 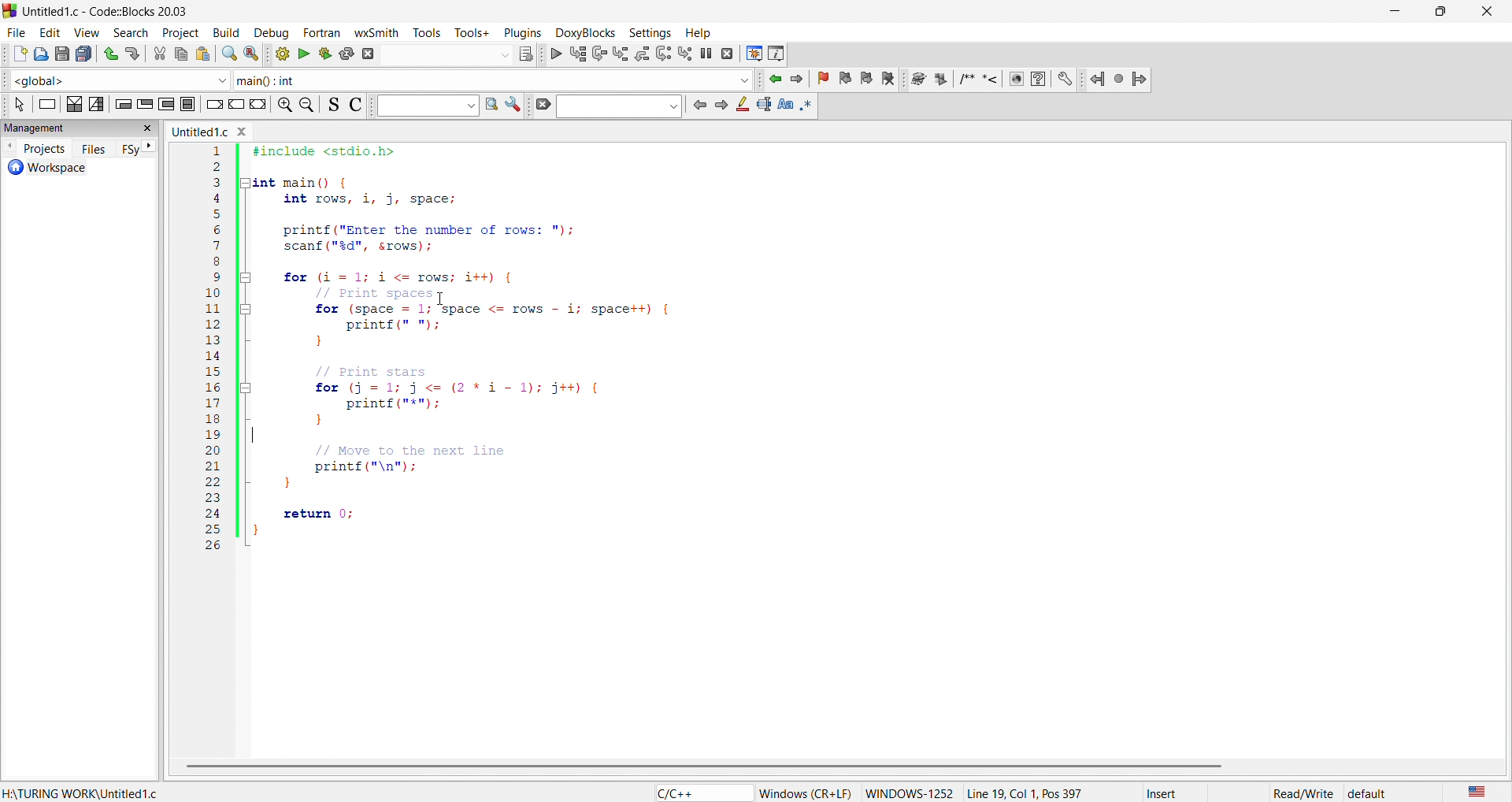 What do you see at coordinates (696, 32) in the screenshot?
I see `help` at bounding box center [696, 32].